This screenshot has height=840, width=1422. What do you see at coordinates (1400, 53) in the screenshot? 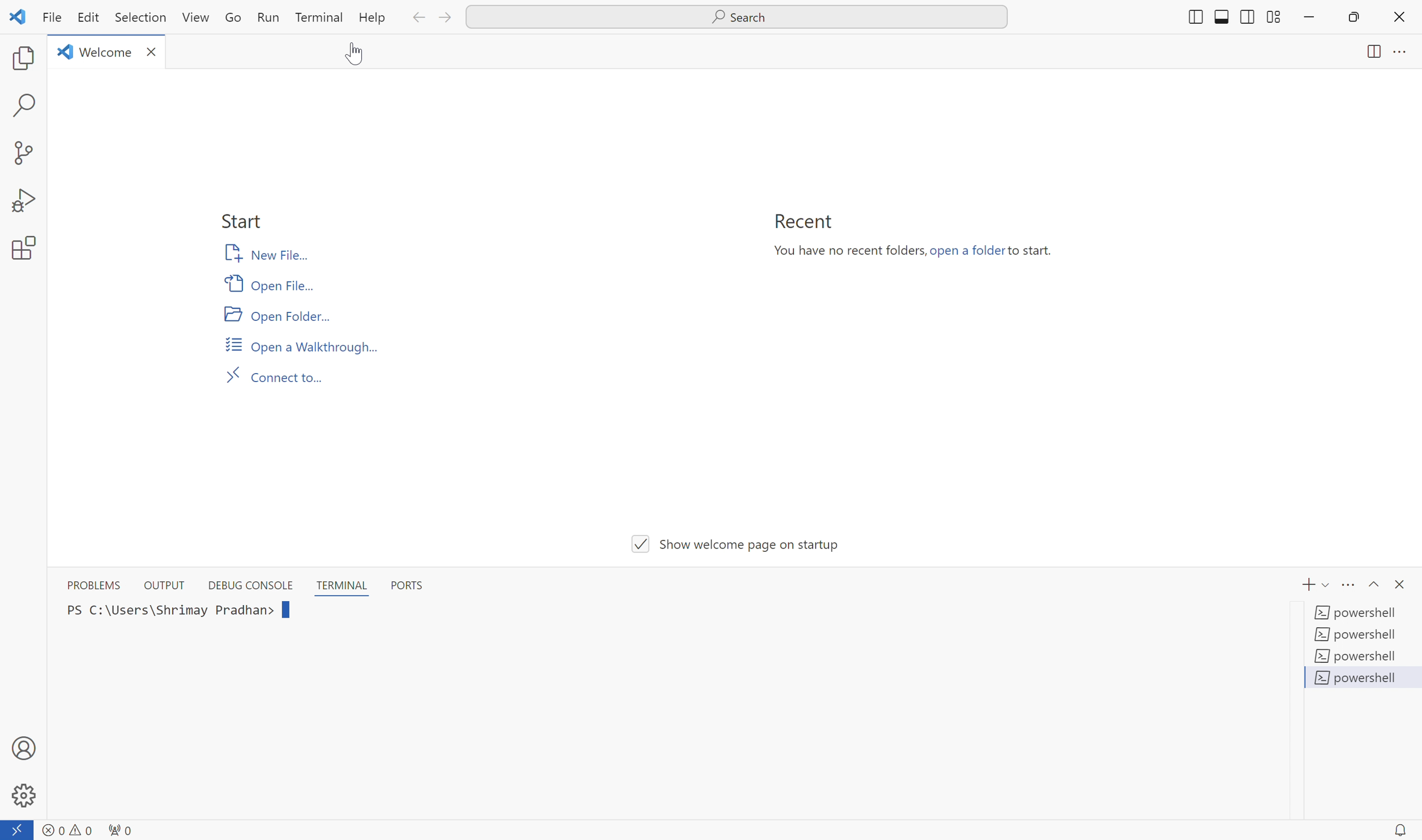
I see `more options` at bounding box center [1400, 53].